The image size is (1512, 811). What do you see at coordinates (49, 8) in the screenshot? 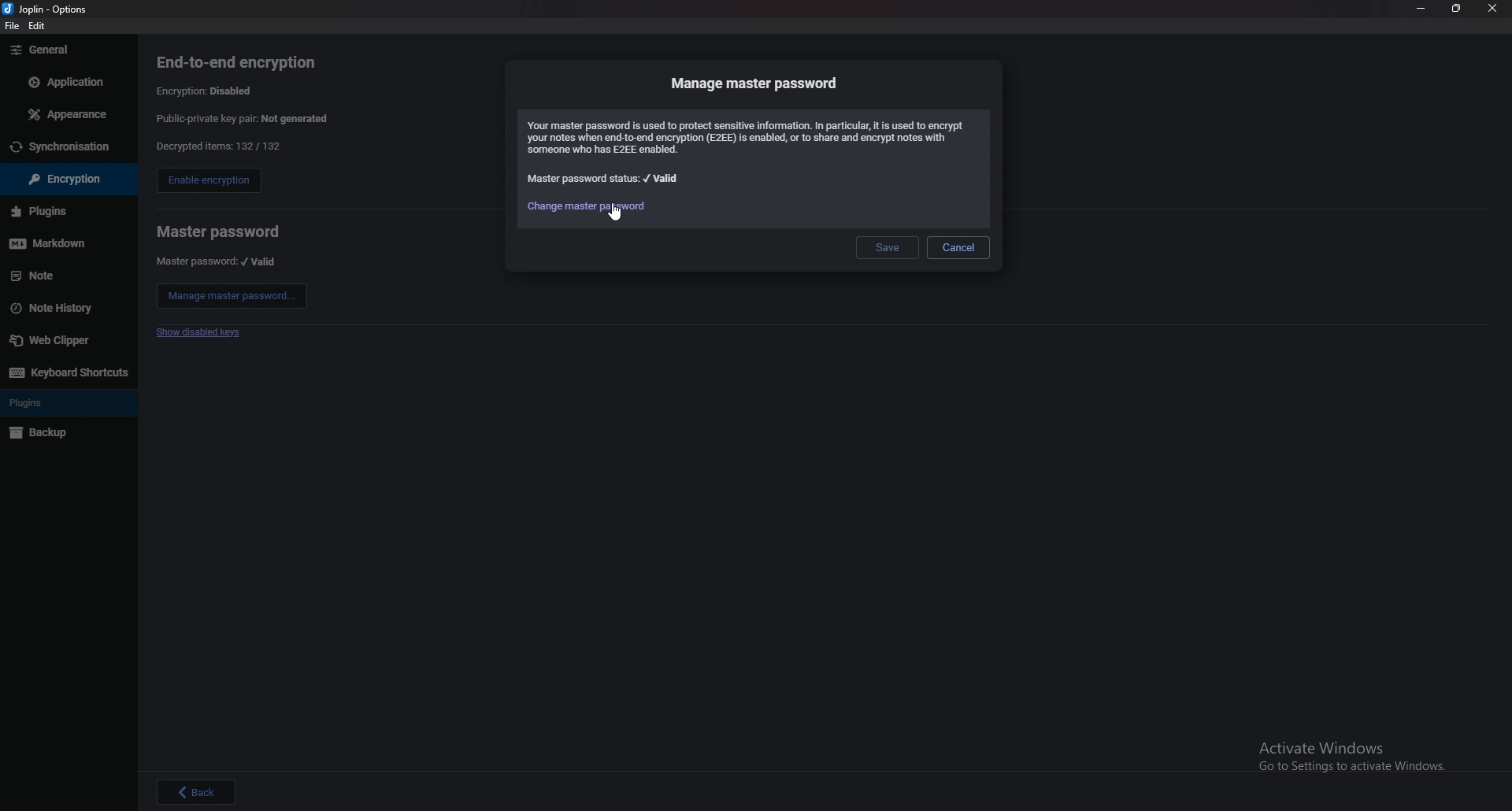
I see `options` at bounding box center [49, 8].